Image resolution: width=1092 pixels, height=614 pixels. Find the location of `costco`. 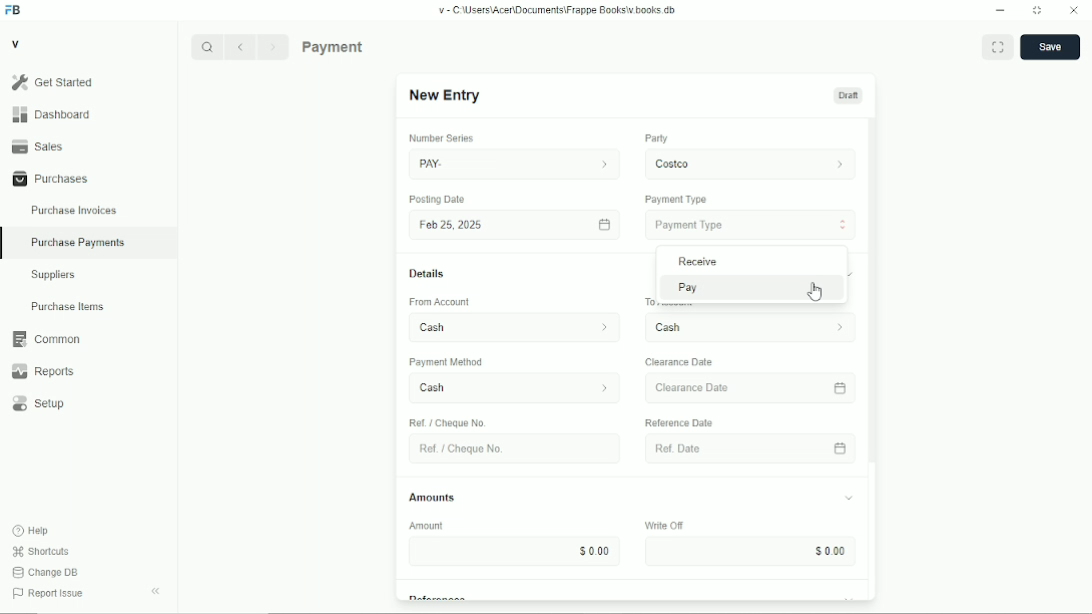

costco is located at coordinates (751, 162).